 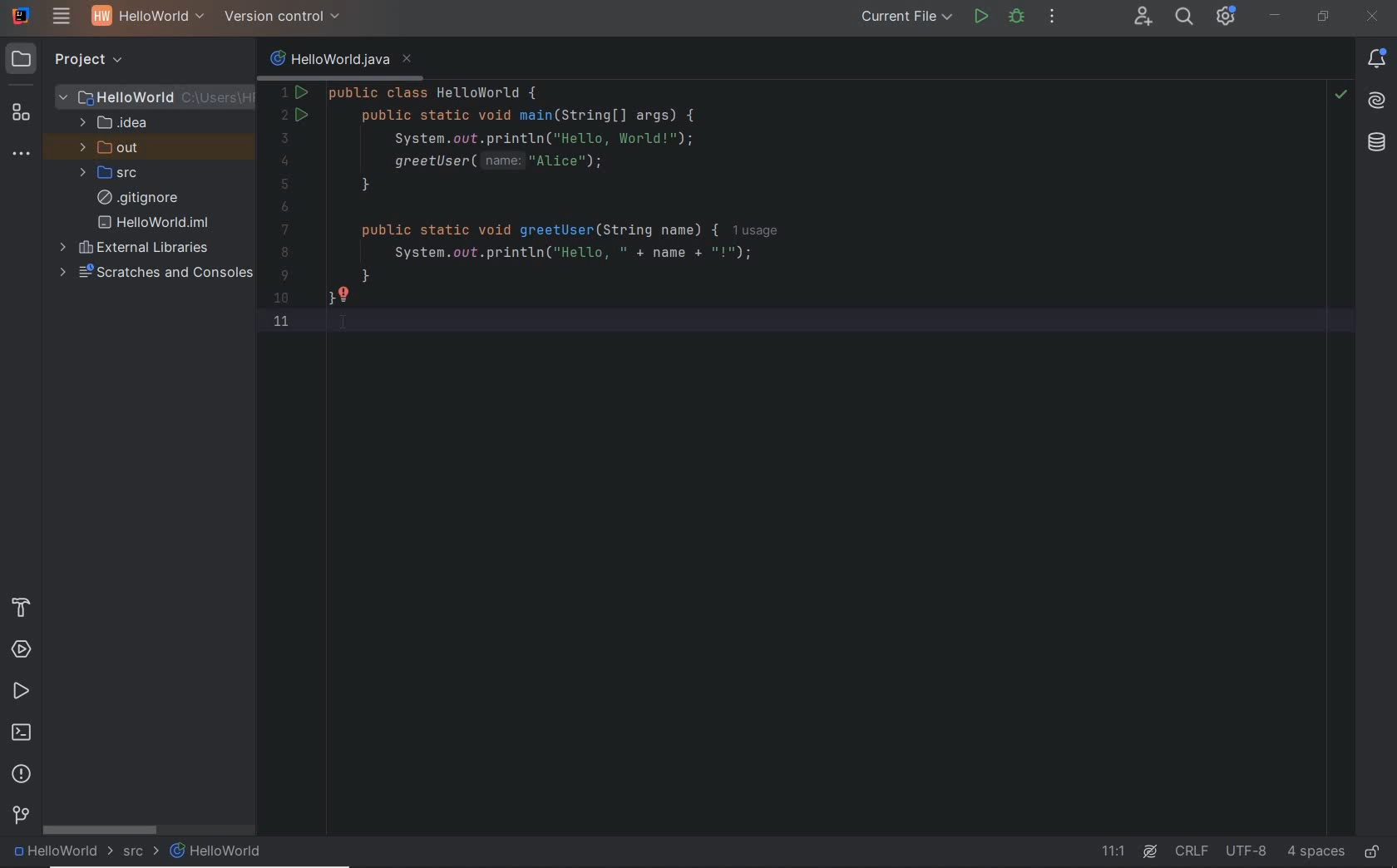 I want to click on code with me, so click(x=1143, y=16).